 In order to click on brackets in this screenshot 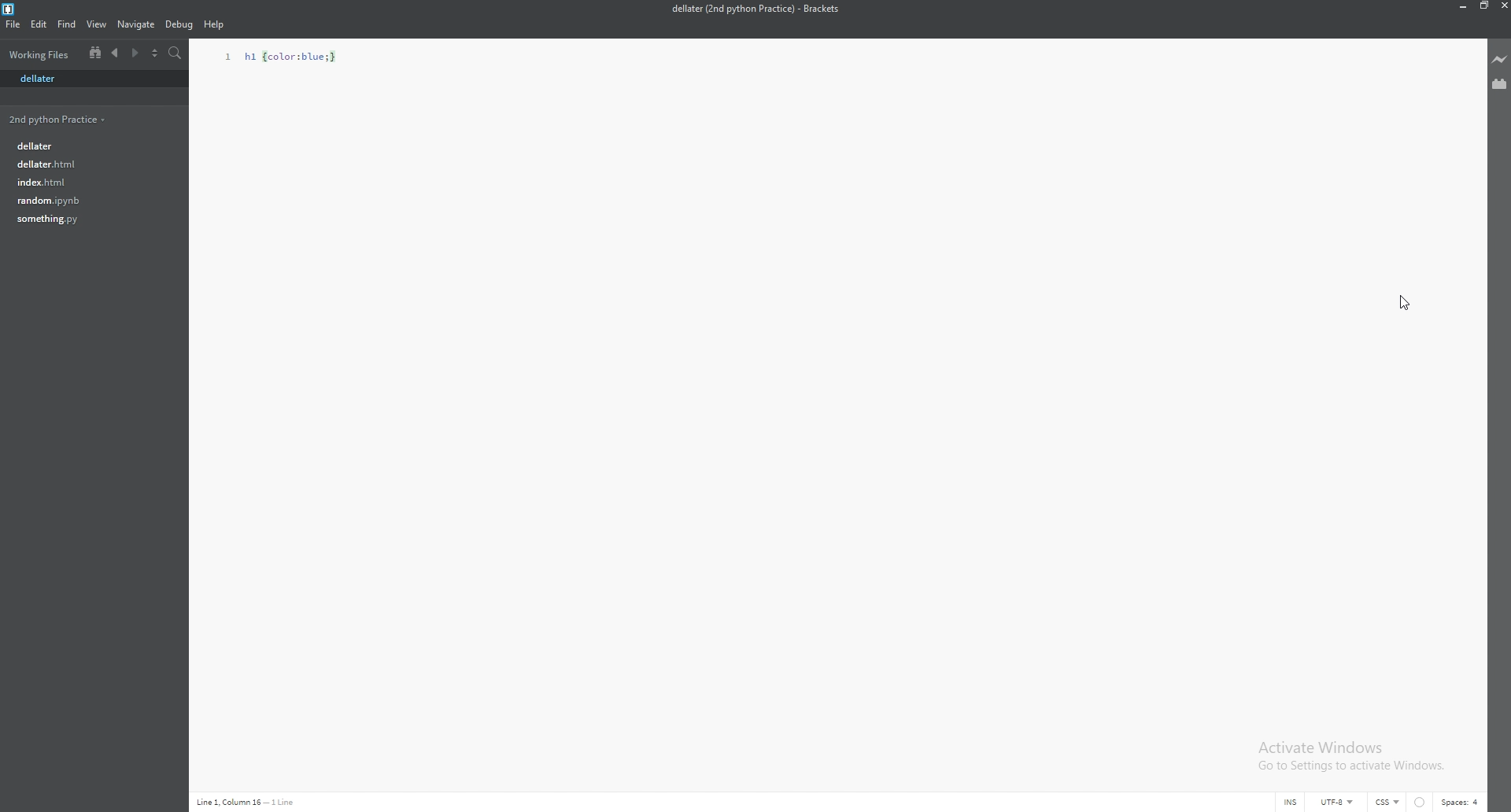, I will do `click(9, 9)`.